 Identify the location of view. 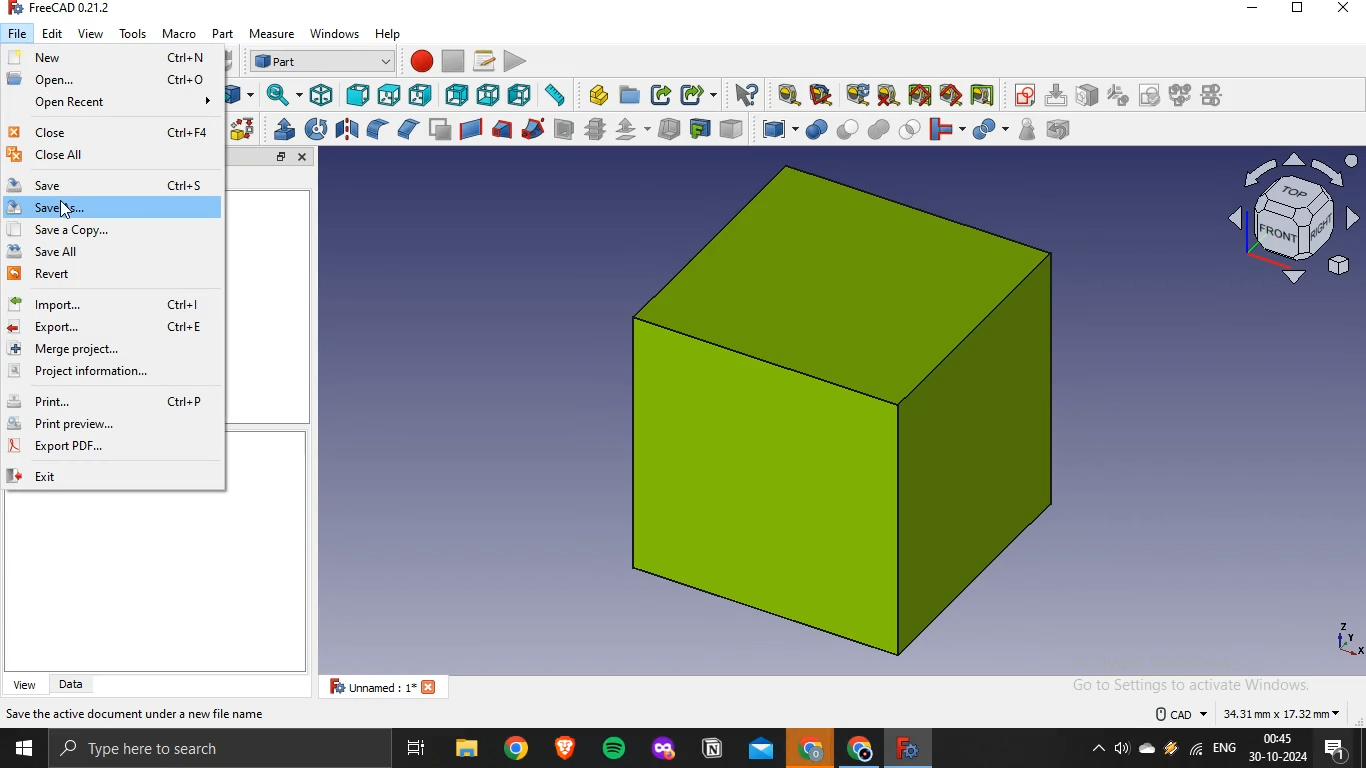
(91, 35).